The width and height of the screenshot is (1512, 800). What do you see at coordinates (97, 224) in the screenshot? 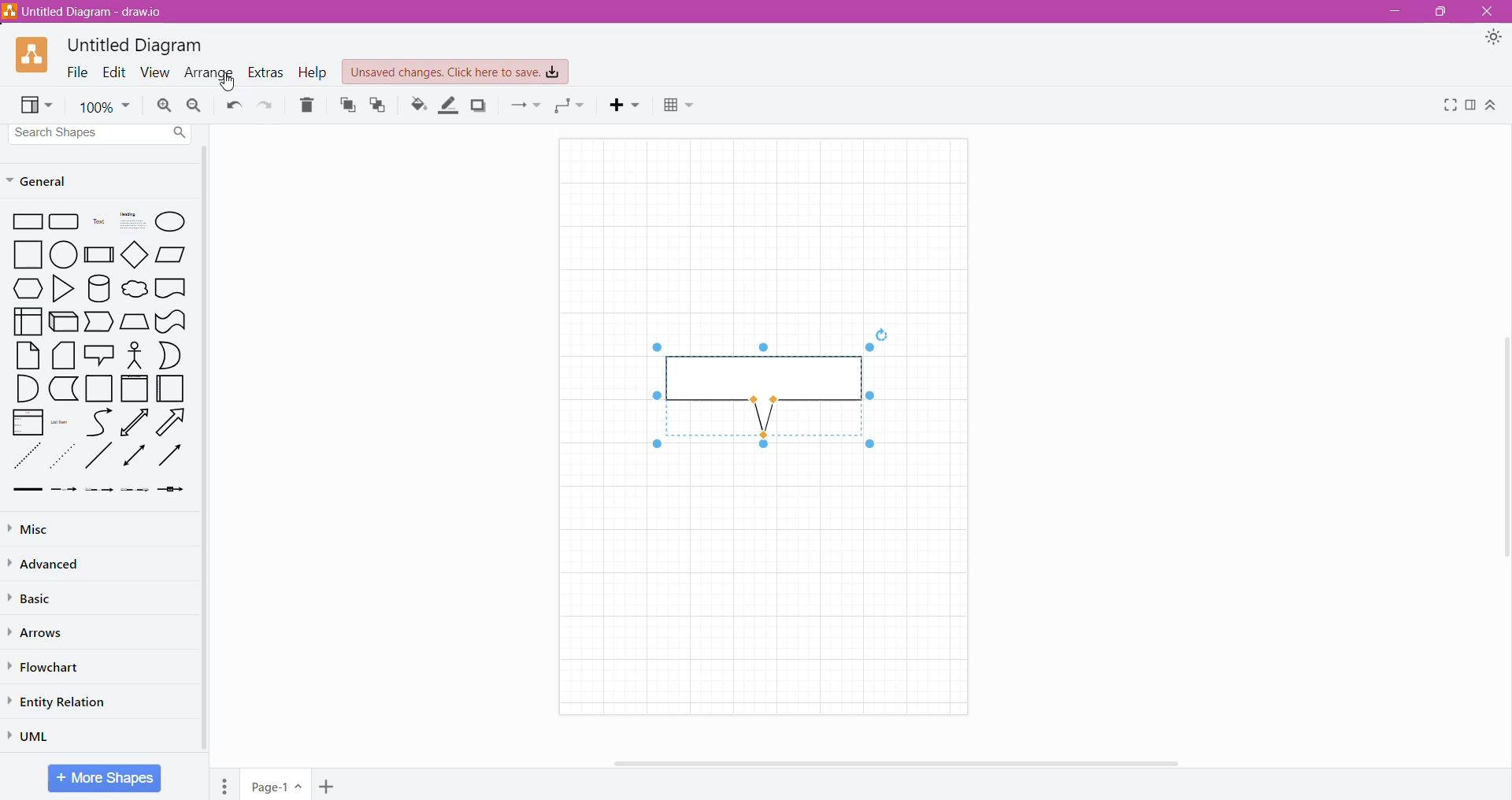
I see `Text (Label)` at bounding box center [97, 224].